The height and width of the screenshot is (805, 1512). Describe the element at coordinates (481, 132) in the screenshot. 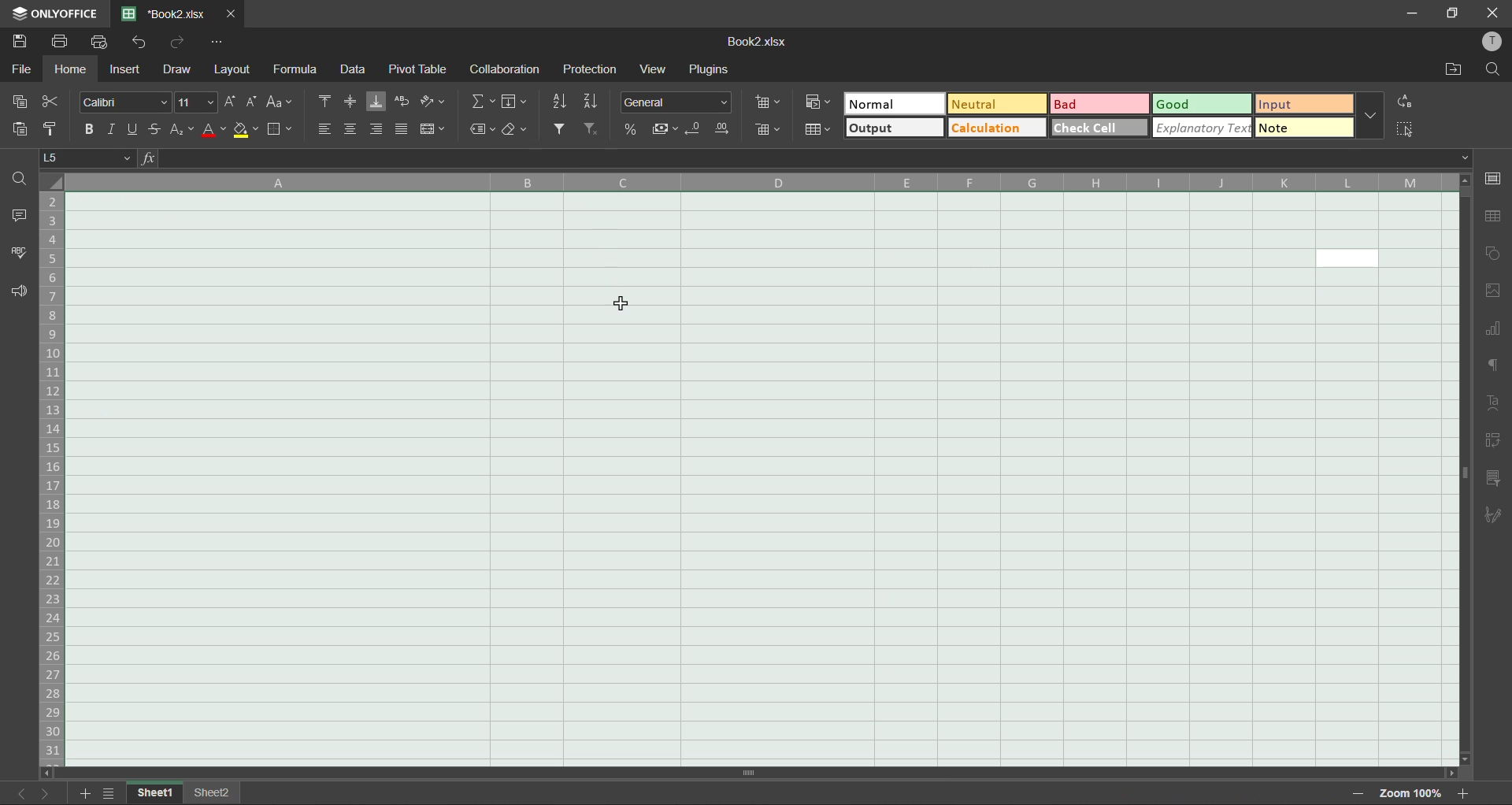

I see `named ranges` at that location.